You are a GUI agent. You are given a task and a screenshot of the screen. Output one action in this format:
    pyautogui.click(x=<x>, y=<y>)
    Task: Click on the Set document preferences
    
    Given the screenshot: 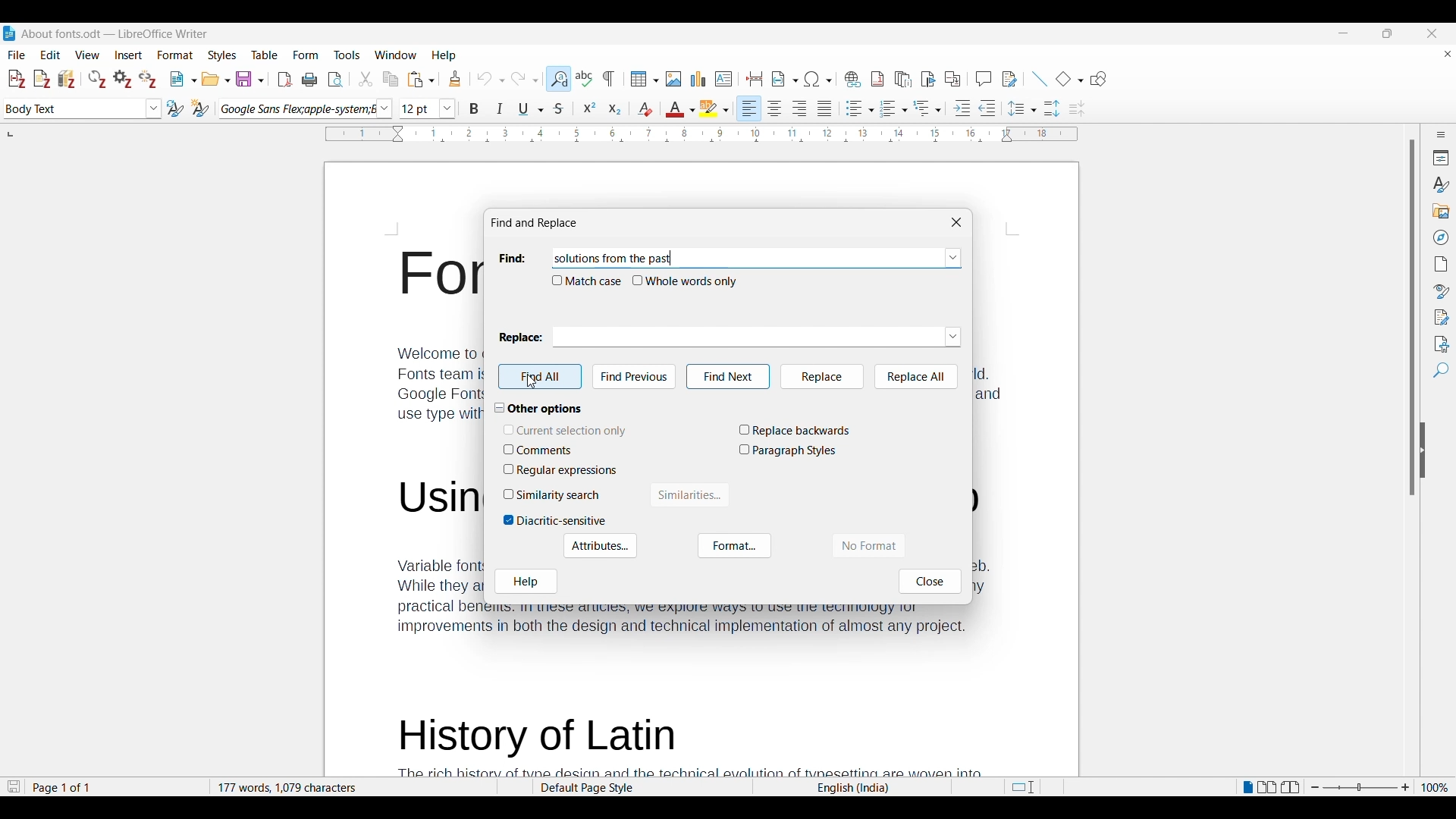 What is the action you would take?
    pyautogui.click(x=124, y=78)
    